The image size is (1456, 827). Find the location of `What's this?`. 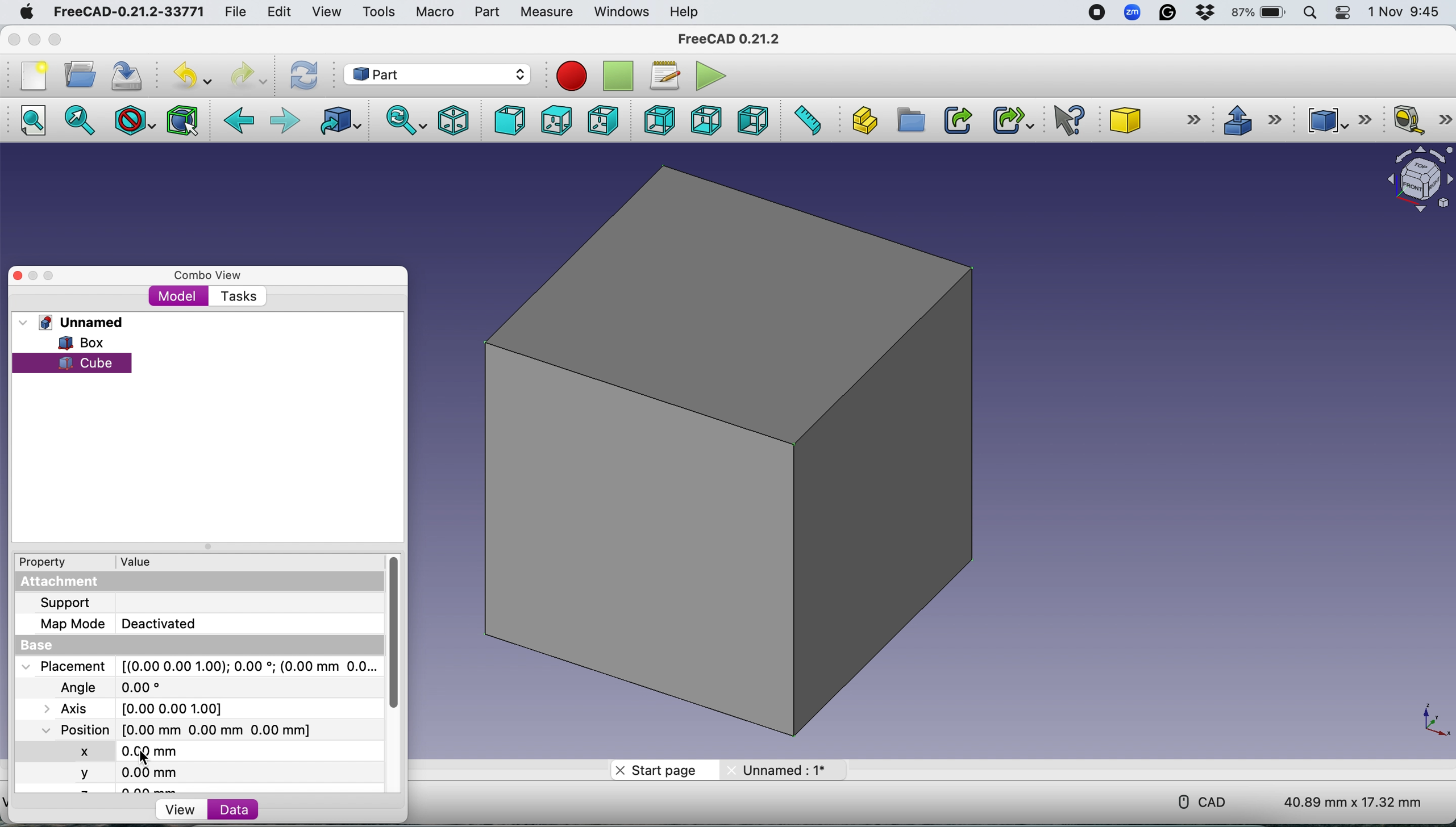

What's this? is located at coordinates (1071, 120).